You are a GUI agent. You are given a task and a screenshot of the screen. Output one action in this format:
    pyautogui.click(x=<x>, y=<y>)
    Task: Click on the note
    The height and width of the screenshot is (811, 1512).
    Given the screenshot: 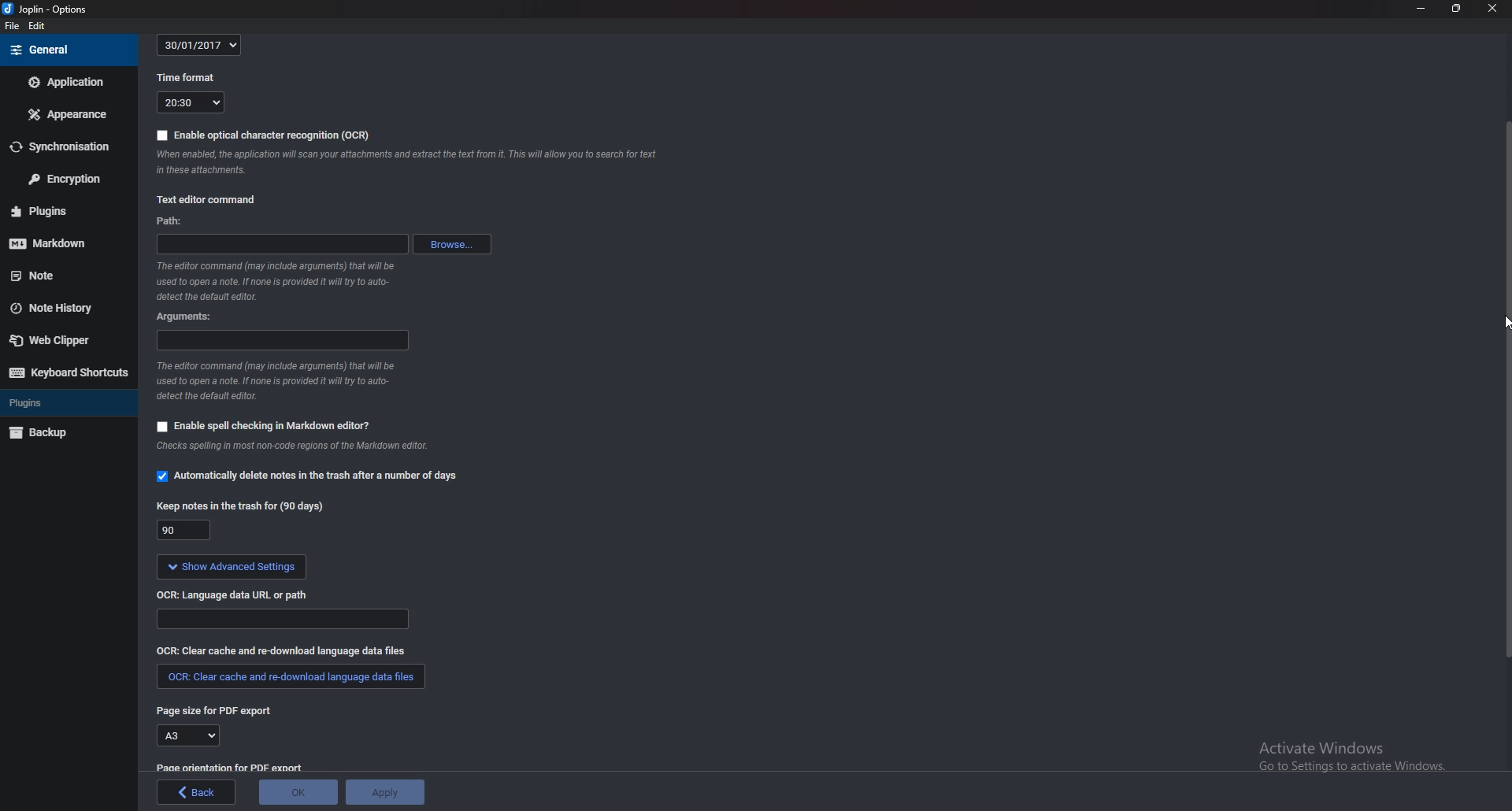 What is the action you would take?
    pyautogui.click(x=54, y=275)
    